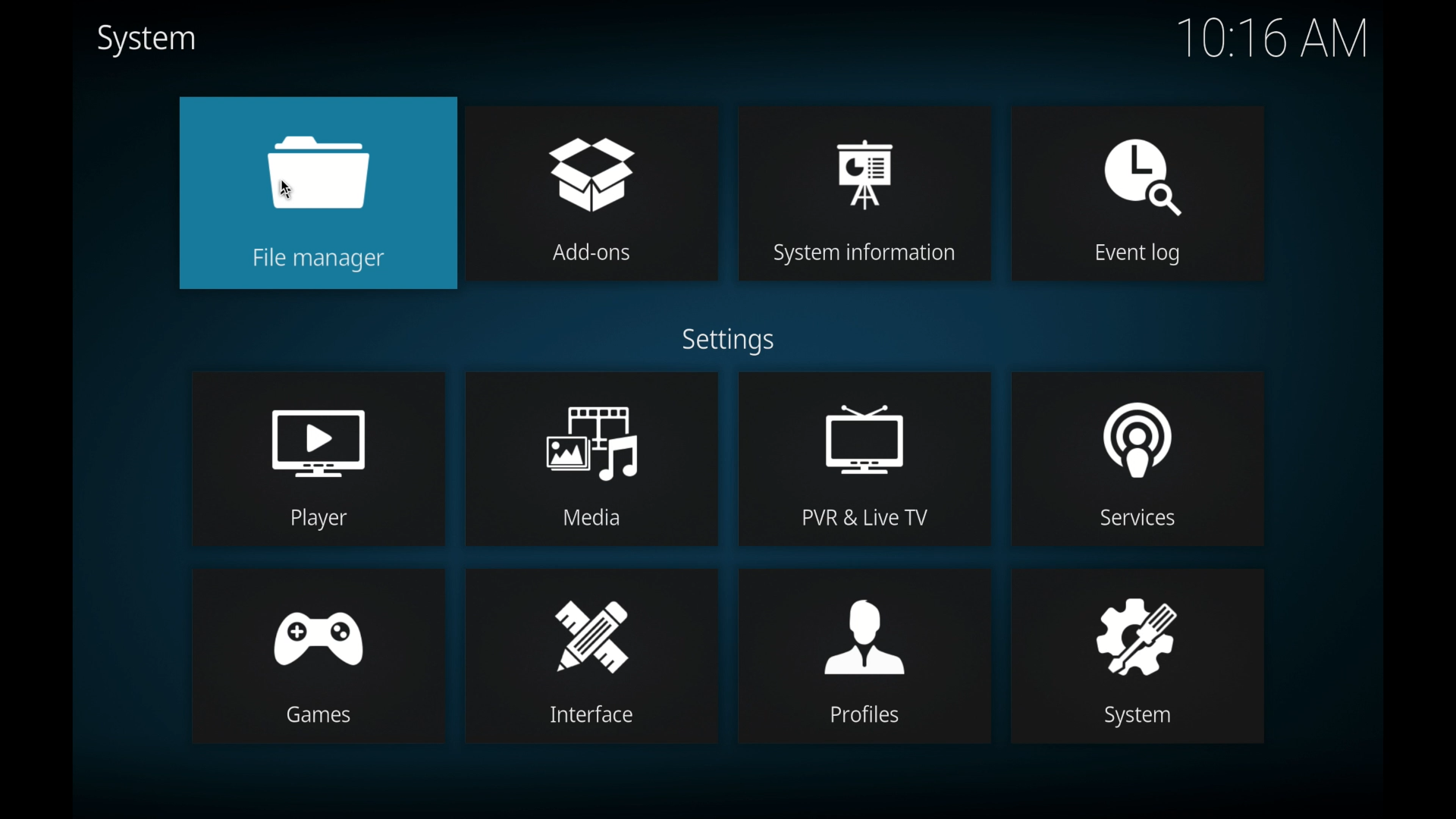 The height and width of the screenshot is (819, 1456). I want to click on system information, so click(864, 193).